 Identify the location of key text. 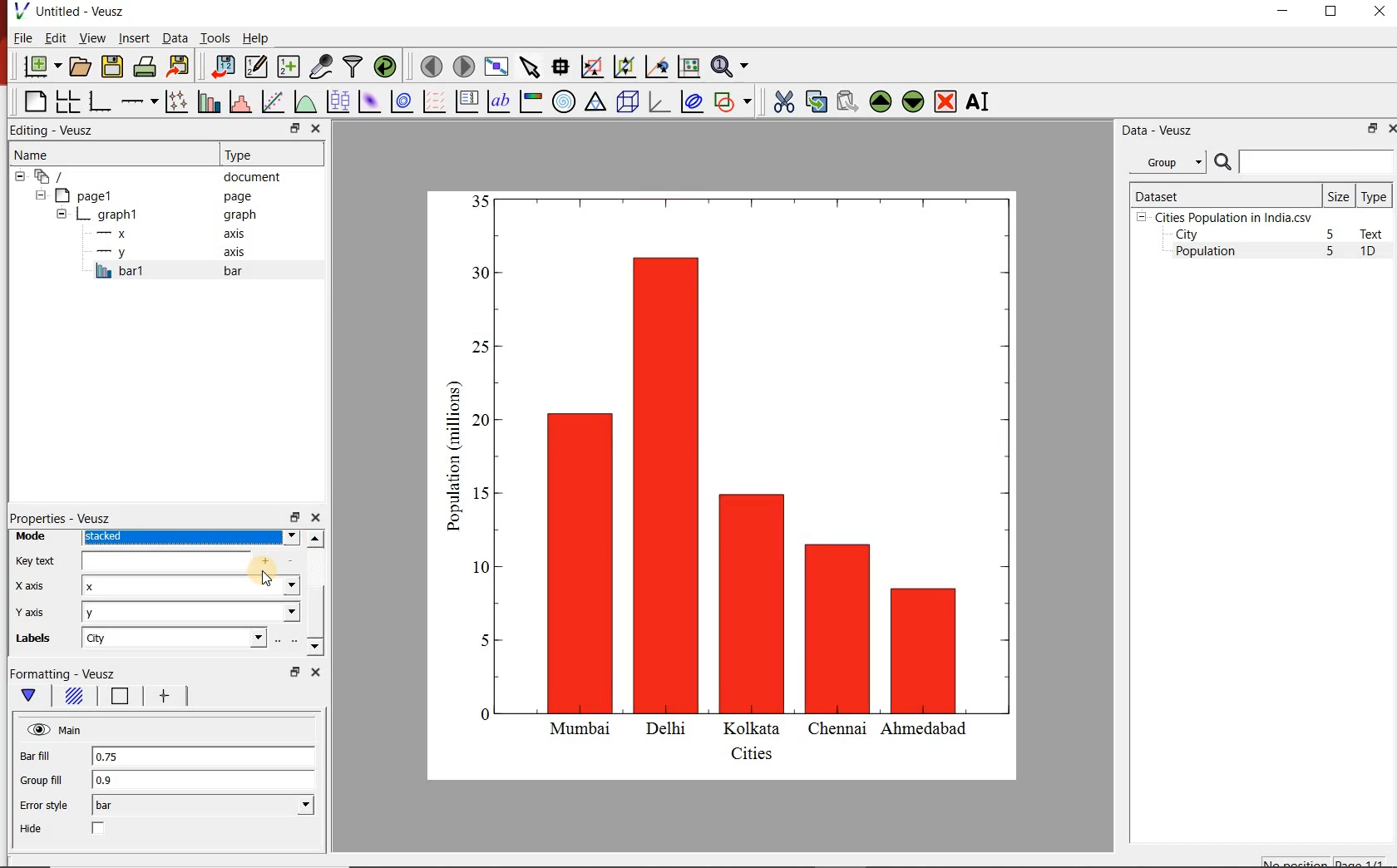
(36, 560).